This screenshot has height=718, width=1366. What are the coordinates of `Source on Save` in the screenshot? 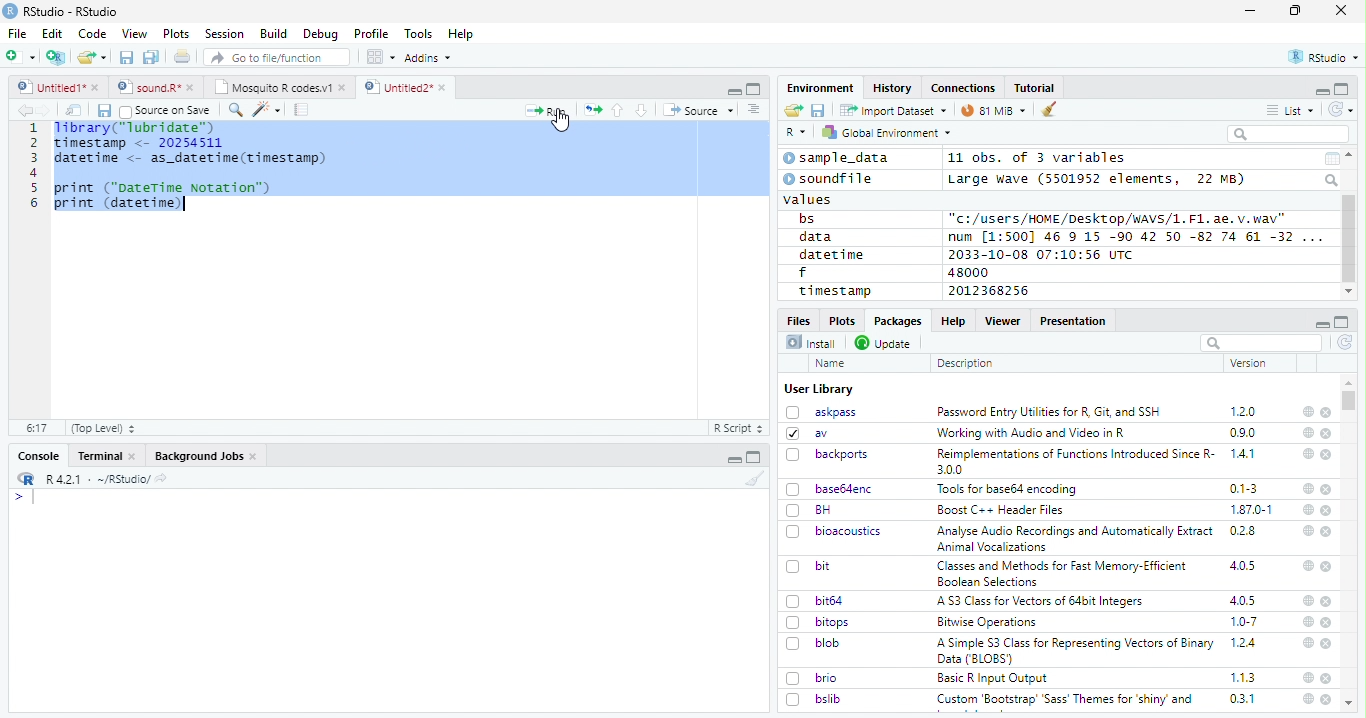 It's located at (164, 110).